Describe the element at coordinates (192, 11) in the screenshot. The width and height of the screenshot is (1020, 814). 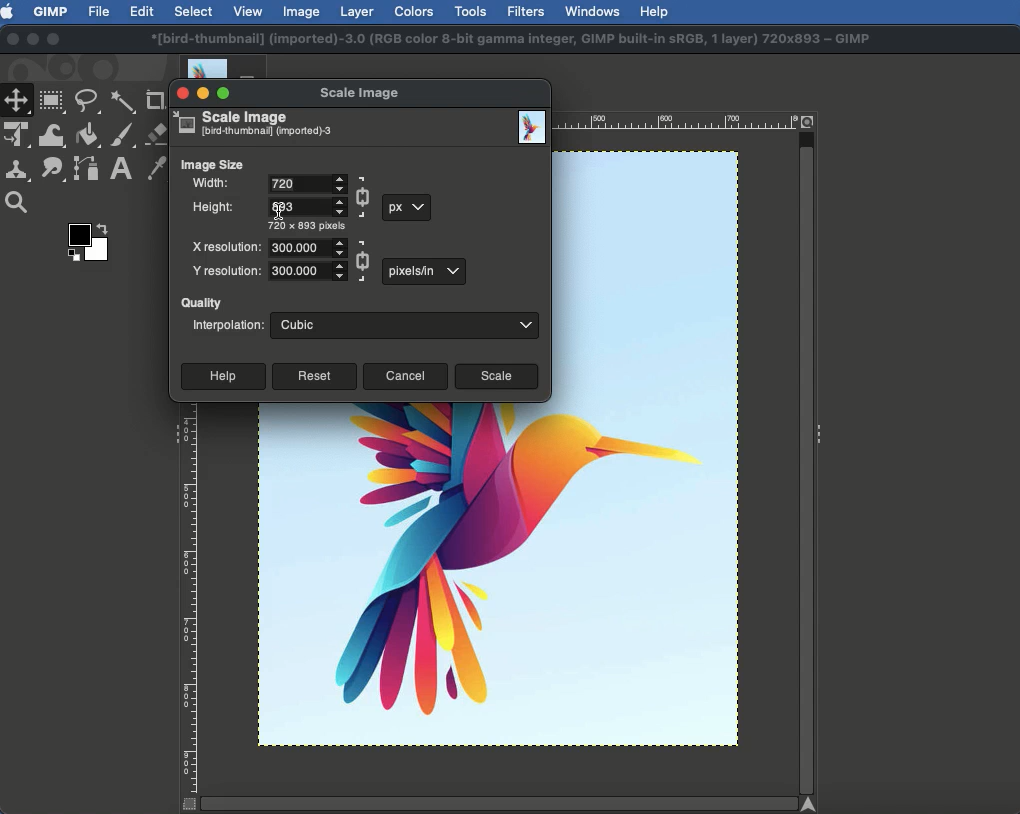
I see `Select` at that location.